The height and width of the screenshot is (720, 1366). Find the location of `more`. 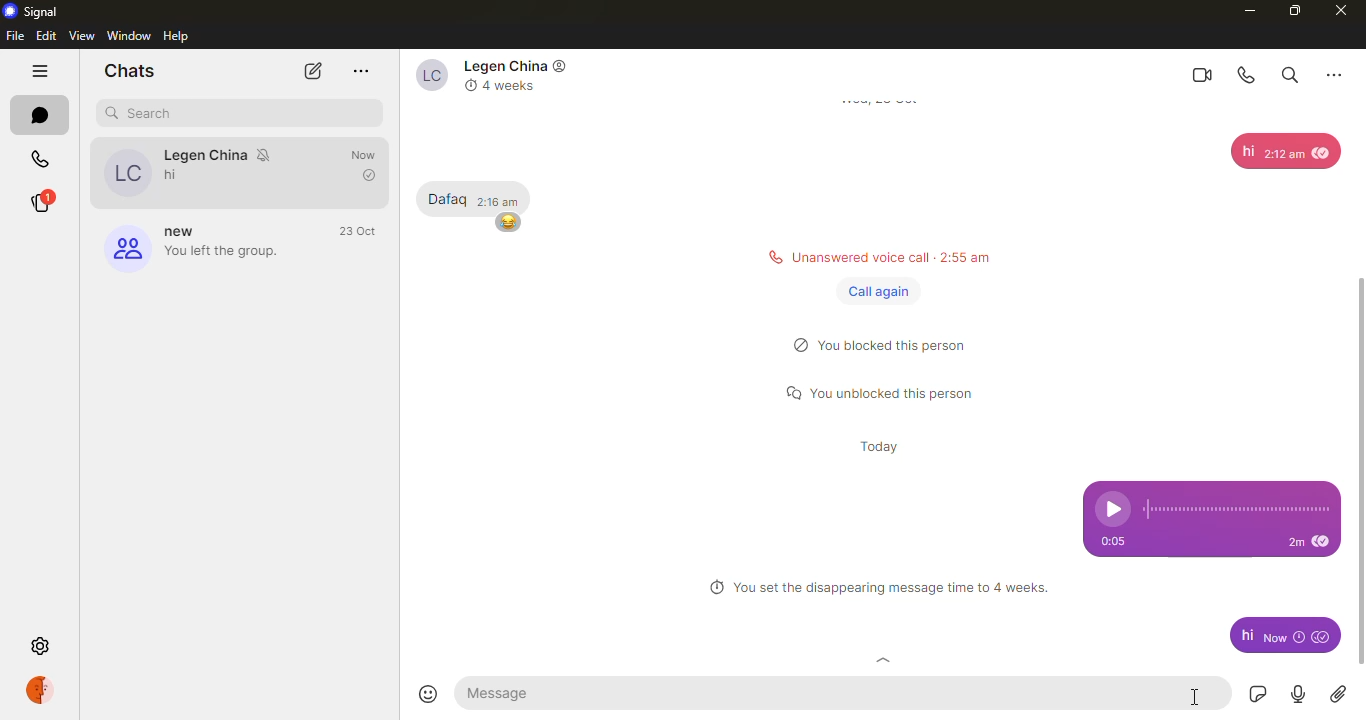

more is located at coordinates (1334, 73).